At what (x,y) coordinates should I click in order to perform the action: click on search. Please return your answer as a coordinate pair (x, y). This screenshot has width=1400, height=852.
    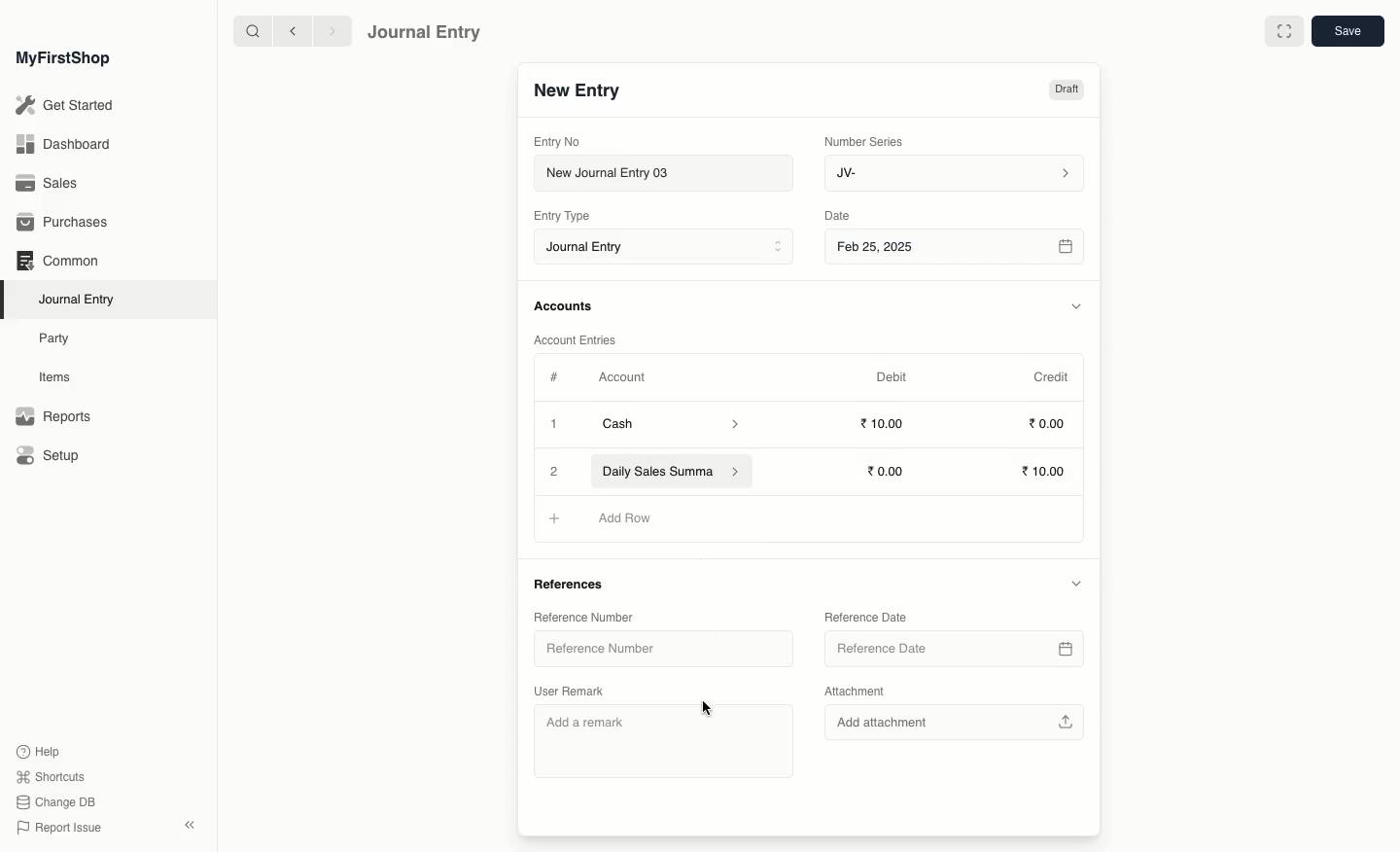
    Looking at the image, I should click on (248, 31).